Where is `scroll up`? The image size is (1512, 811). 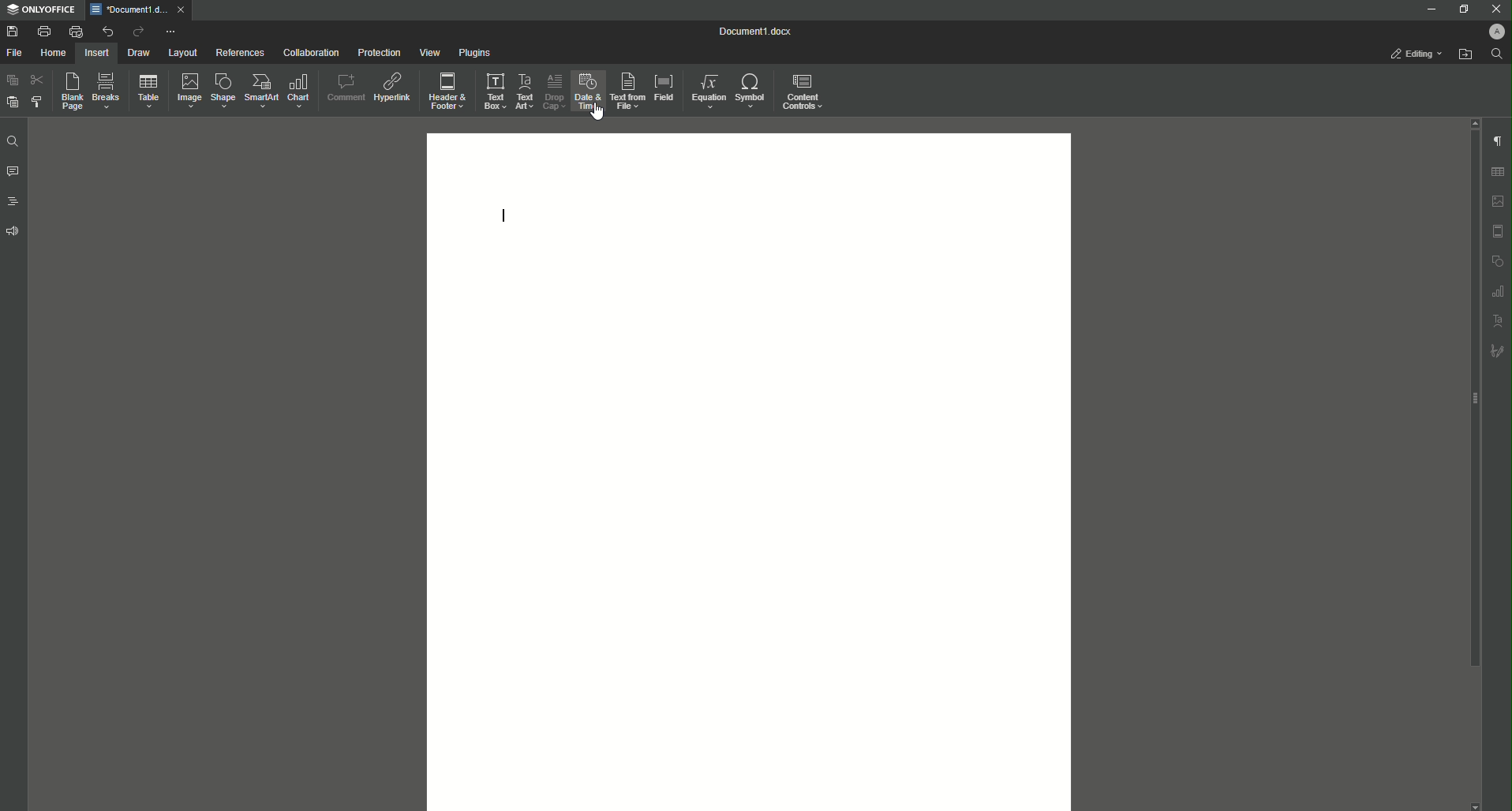 scroll up is located at coordinates (1473, 122).